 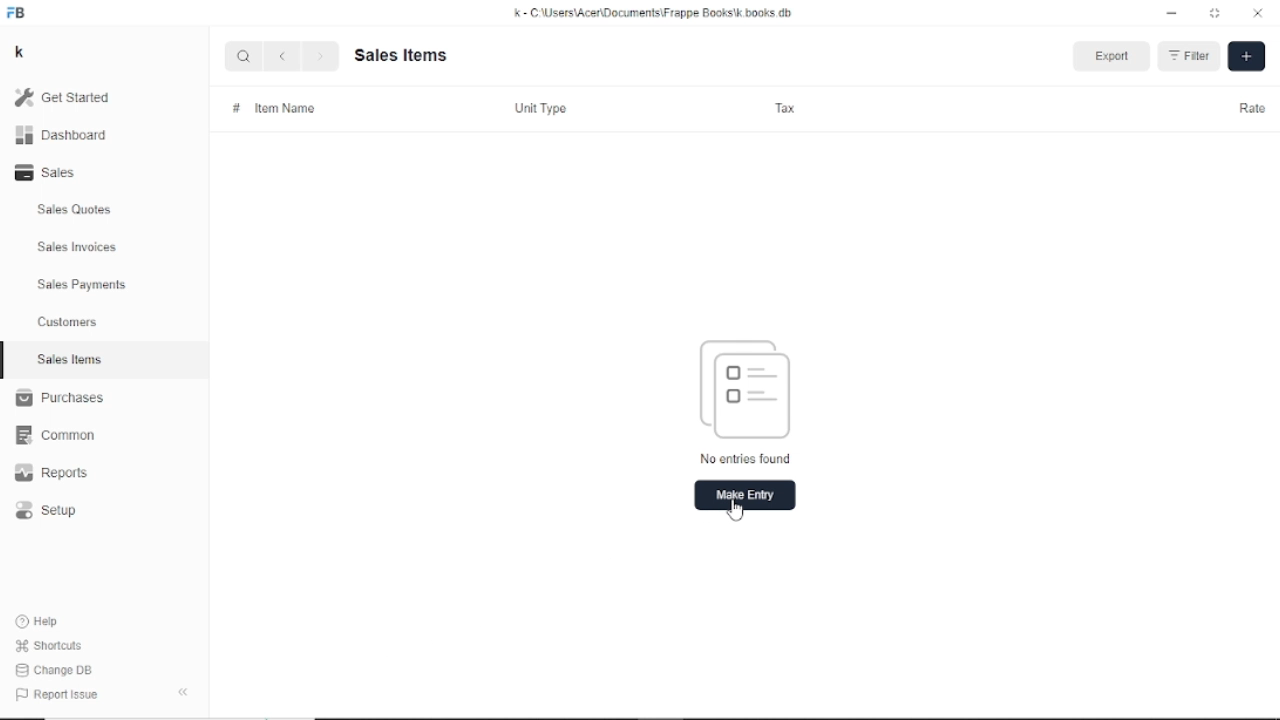 I want to click on Search, so click(x=244, y=56).